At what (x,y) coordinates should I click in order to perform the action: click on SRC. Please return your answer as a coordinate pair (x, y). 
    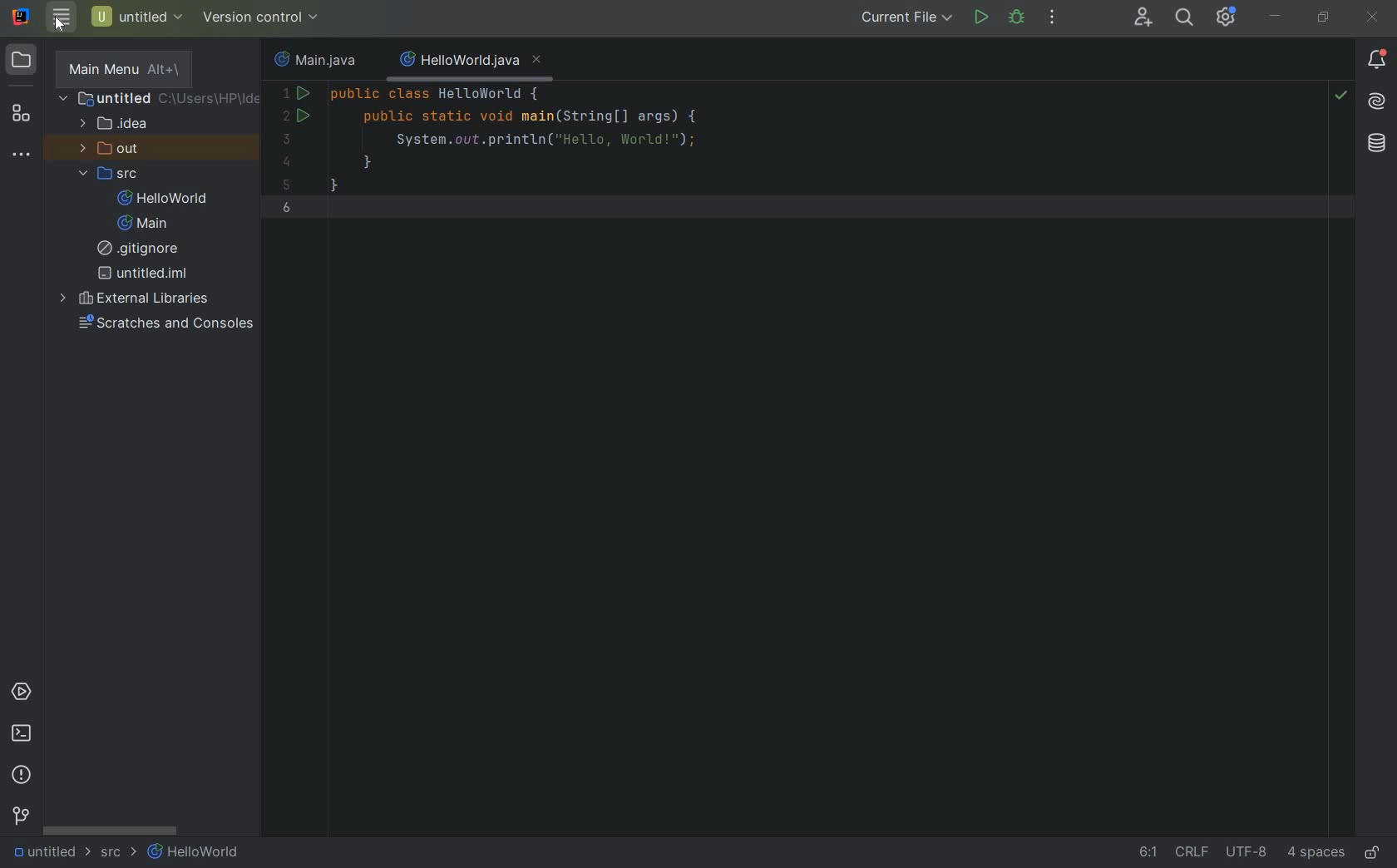
    Looking at the image, I should click on (120, 854).